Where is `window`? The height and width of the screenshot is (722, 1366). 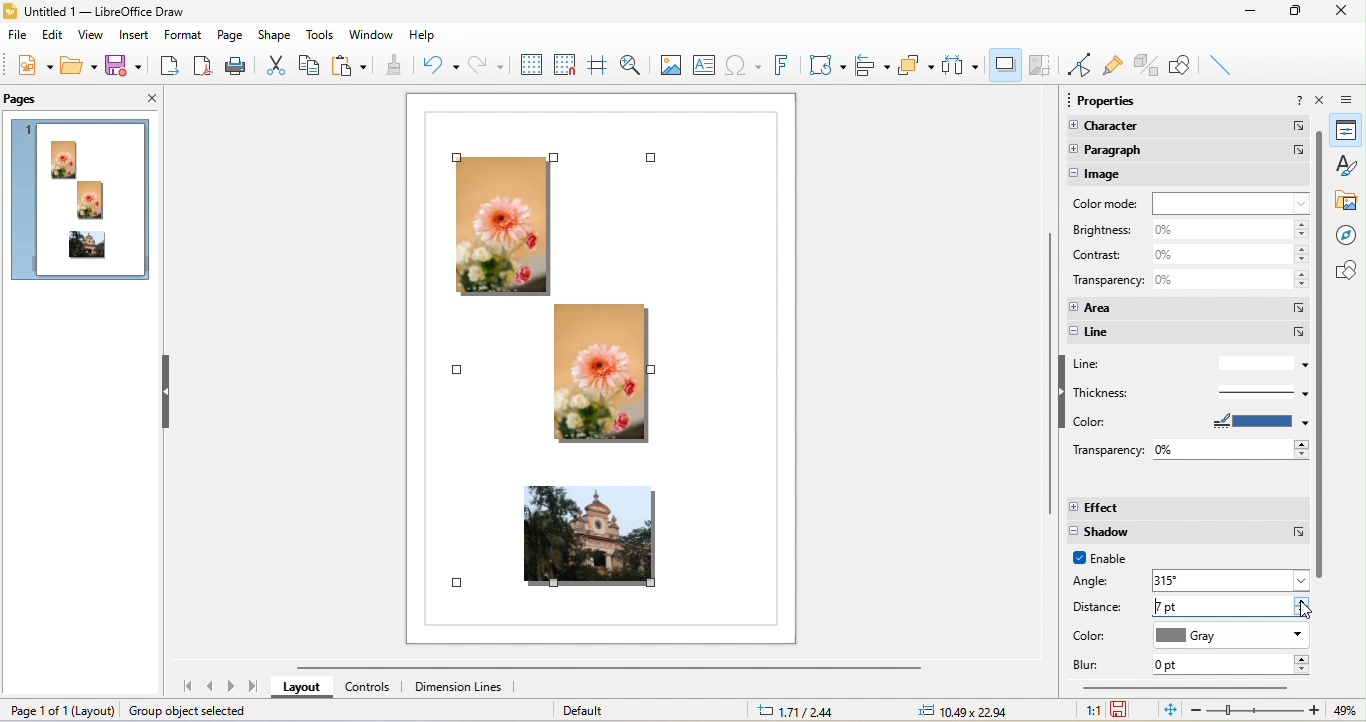 window is located at coordinates (371, 32).